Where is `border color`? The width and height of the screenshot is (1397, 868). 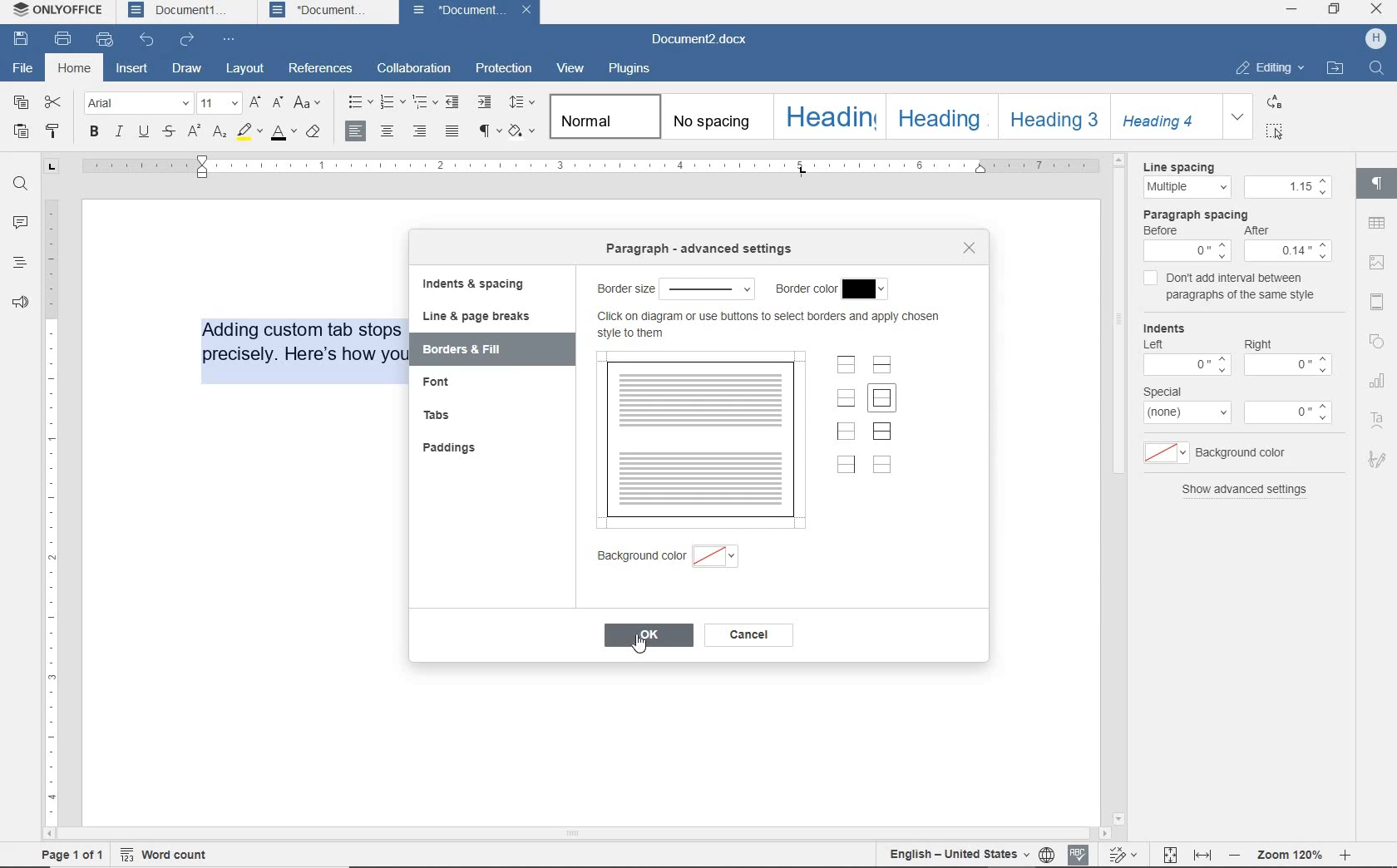
border color is located at coordinates (804, 289).